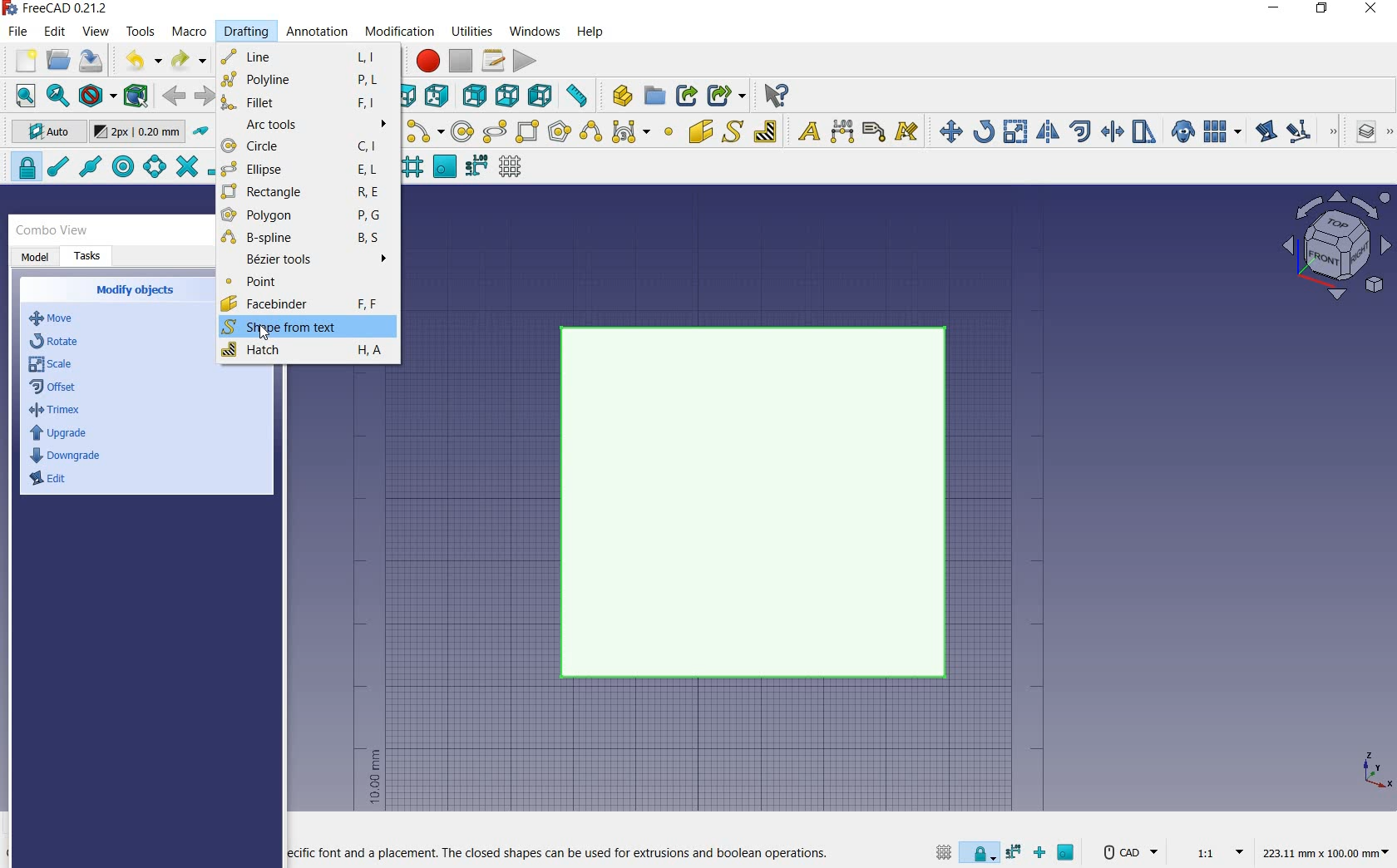 This screenshot has height=868, width=1397. Describe the element at coordinates (43, 134) in the screenshot. I see `current working plane: auto` at that location.